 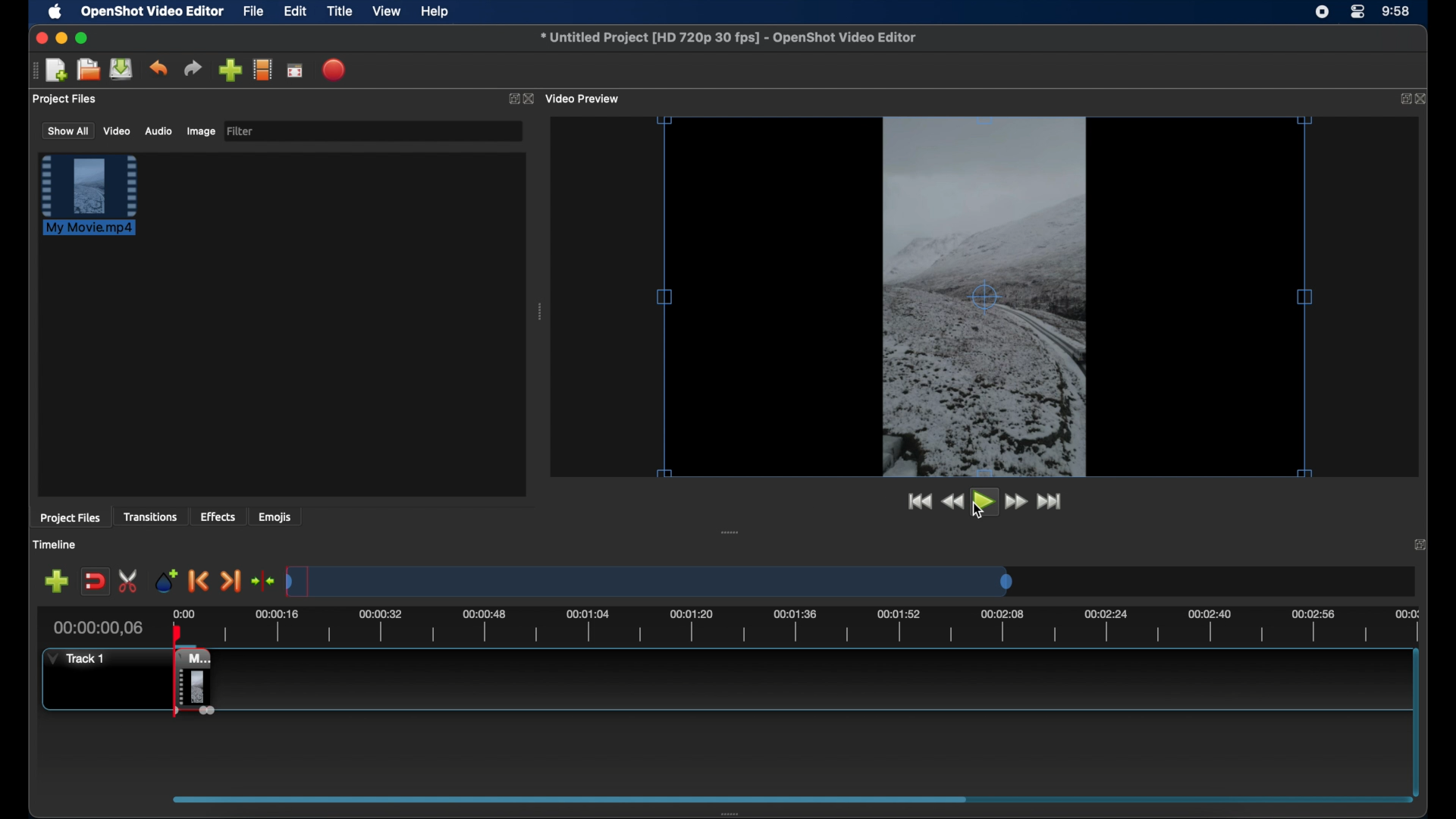 What do you see at coordinates (58, 71) in the screenshot?
I see `new project` at bounding box center [58, 71].